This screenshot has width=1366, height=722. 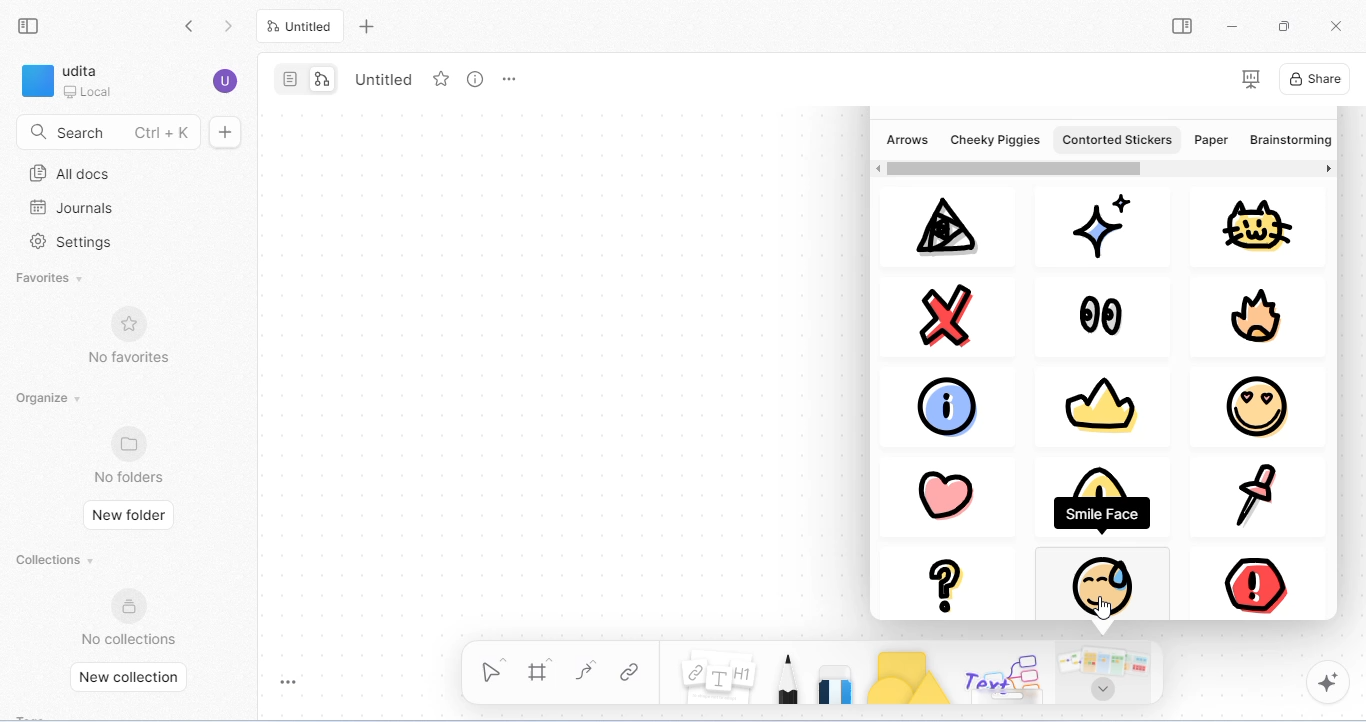 I want to click on AI, so click(x=1100, y=225).